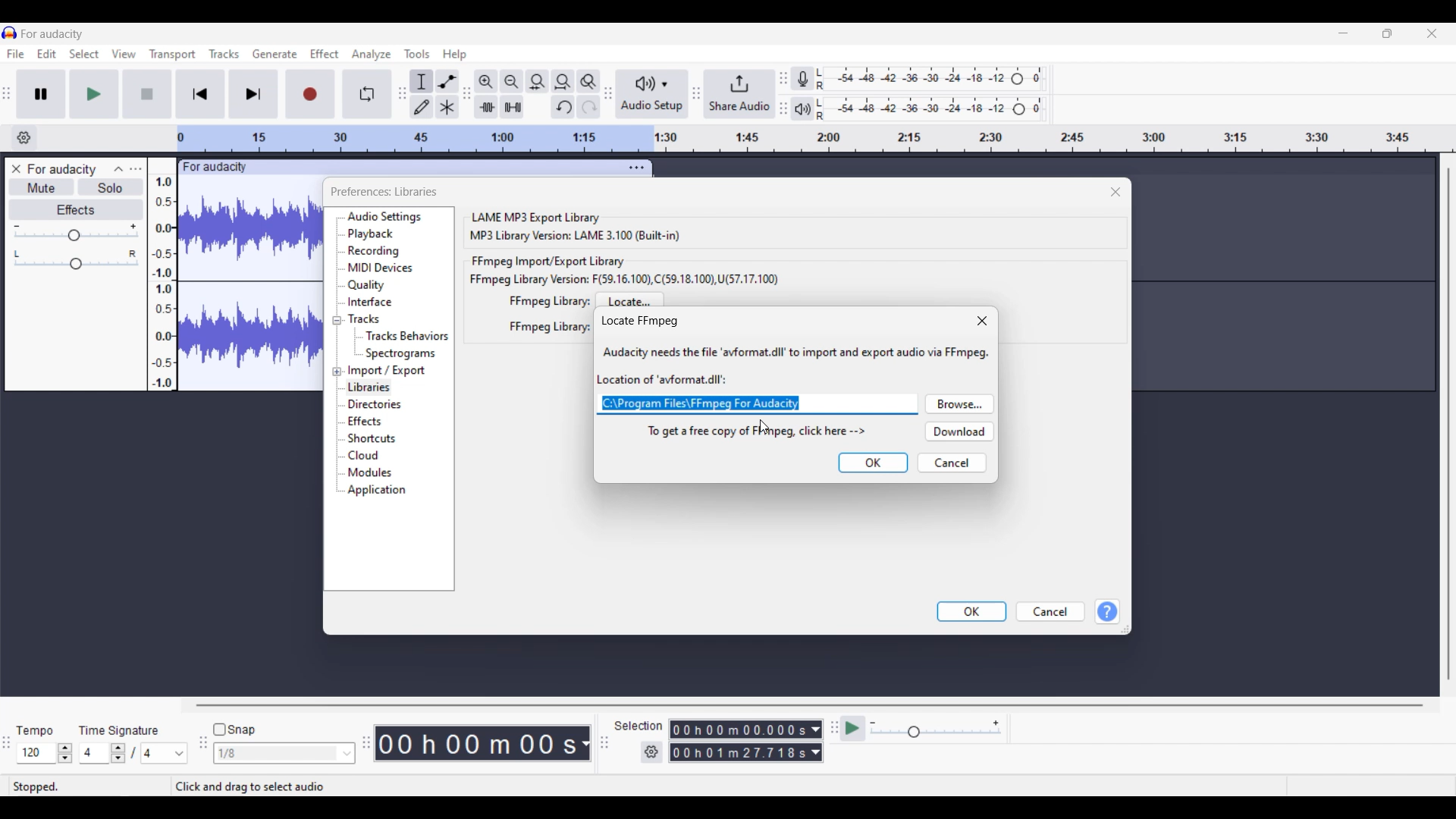 Image resolution: width=1456 pixels, height=819 pixels. What do you see at coordinates (982, 321) in the screenshot?
I see `Close` at bounding box center [982, 321].